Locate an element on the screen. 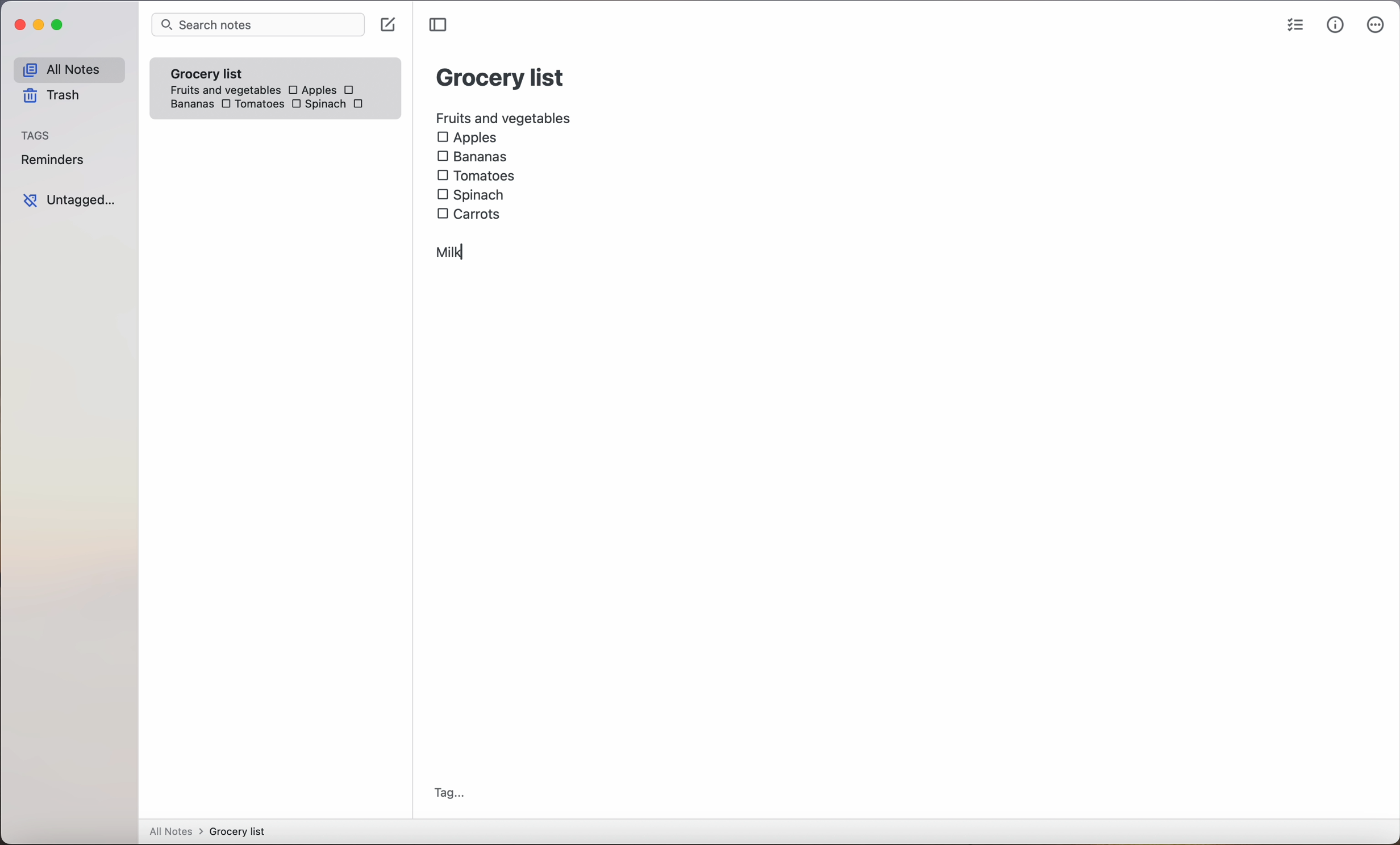 This screenshot has height=845, width=1400. all notes is located at coordinates (68, 70).